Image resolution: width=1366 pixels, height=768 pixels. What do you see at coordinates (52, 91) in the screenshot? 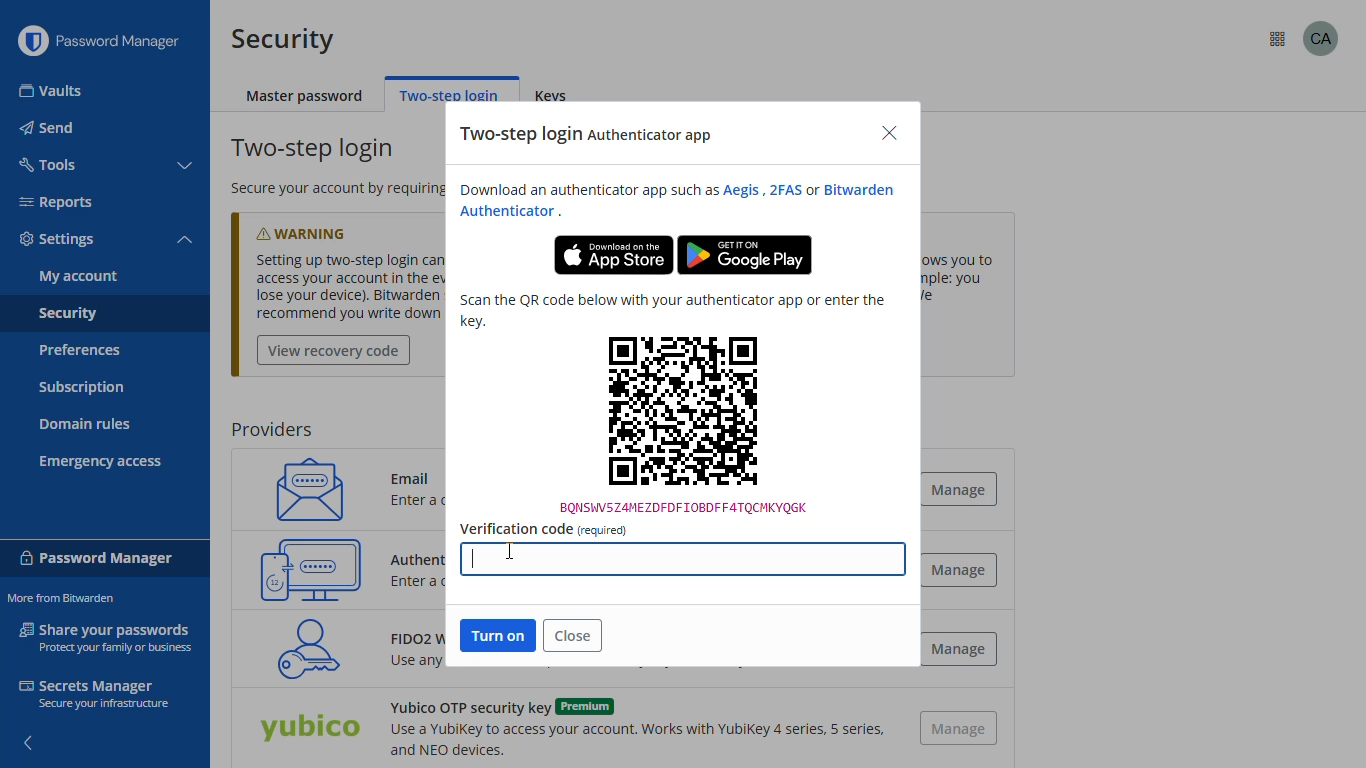
I see `vaults` at bounding box center [52, 91].